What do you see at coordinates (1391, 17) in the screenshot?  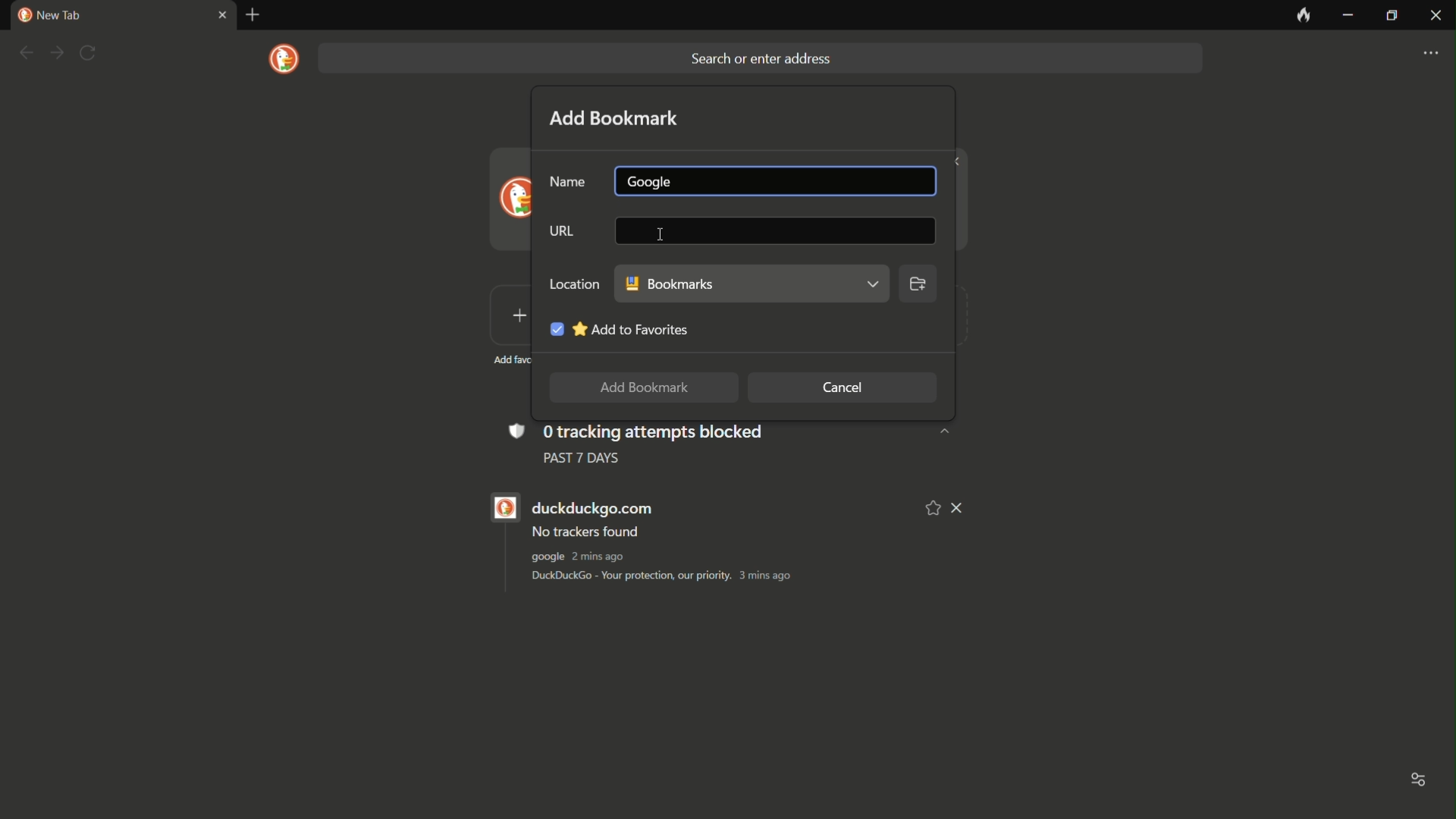 I see `maximize or restore` at bounding box center [1391, 17].